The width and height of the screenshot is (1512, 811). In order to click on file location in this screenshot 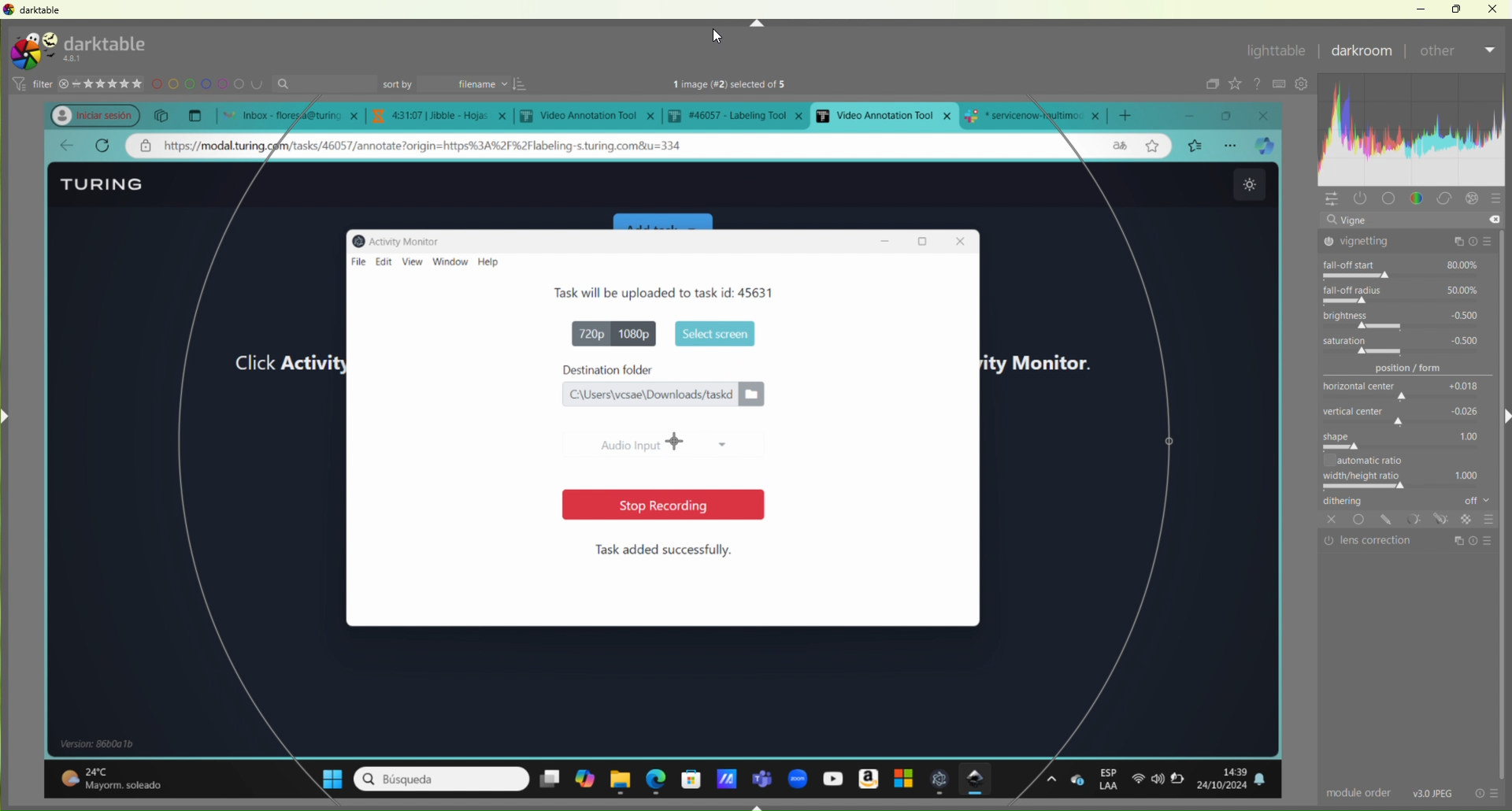, I will do `click(662, 394)`.